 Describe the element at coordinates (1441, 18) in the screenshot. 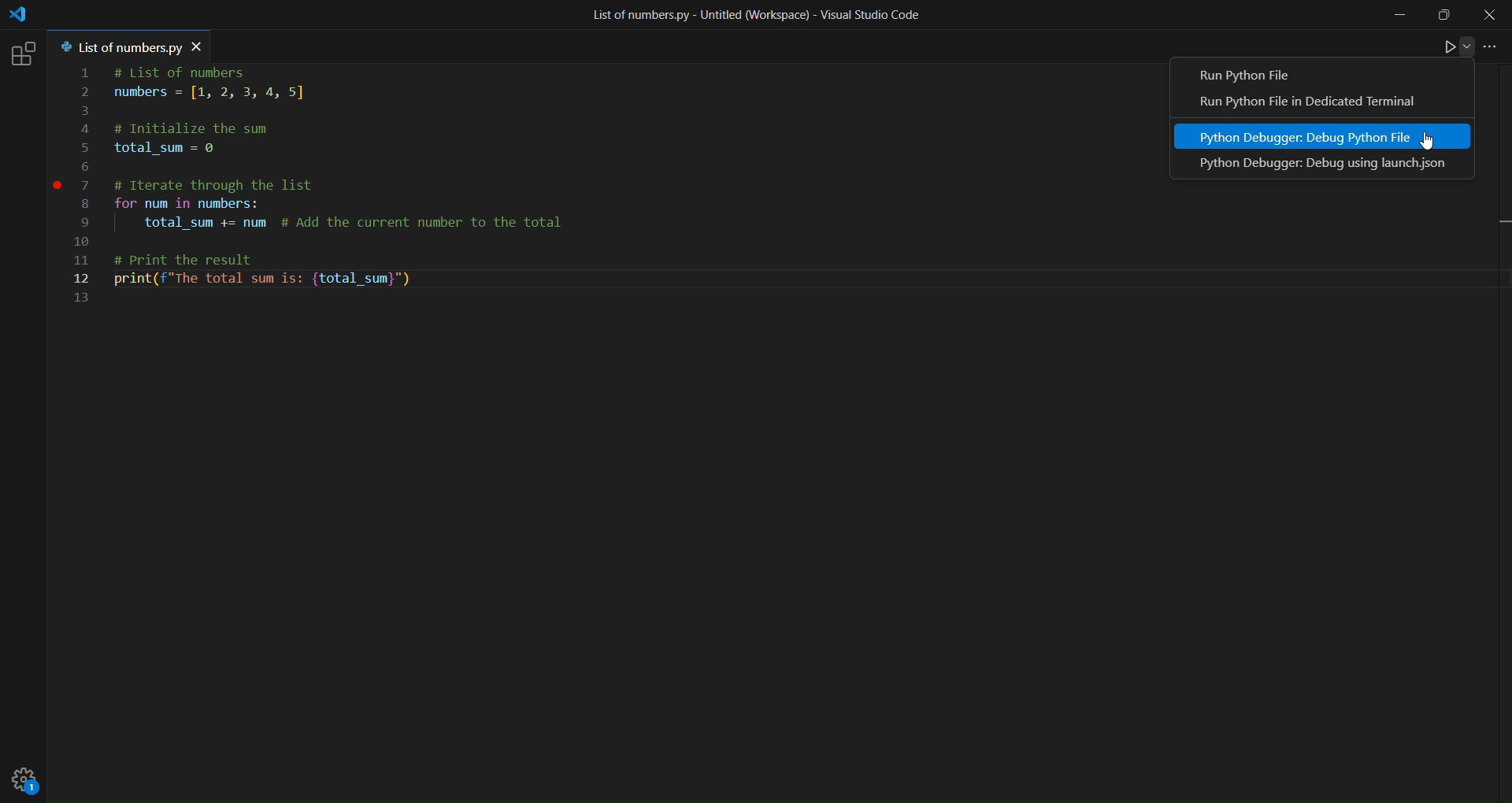

I see `maximize` at that location.